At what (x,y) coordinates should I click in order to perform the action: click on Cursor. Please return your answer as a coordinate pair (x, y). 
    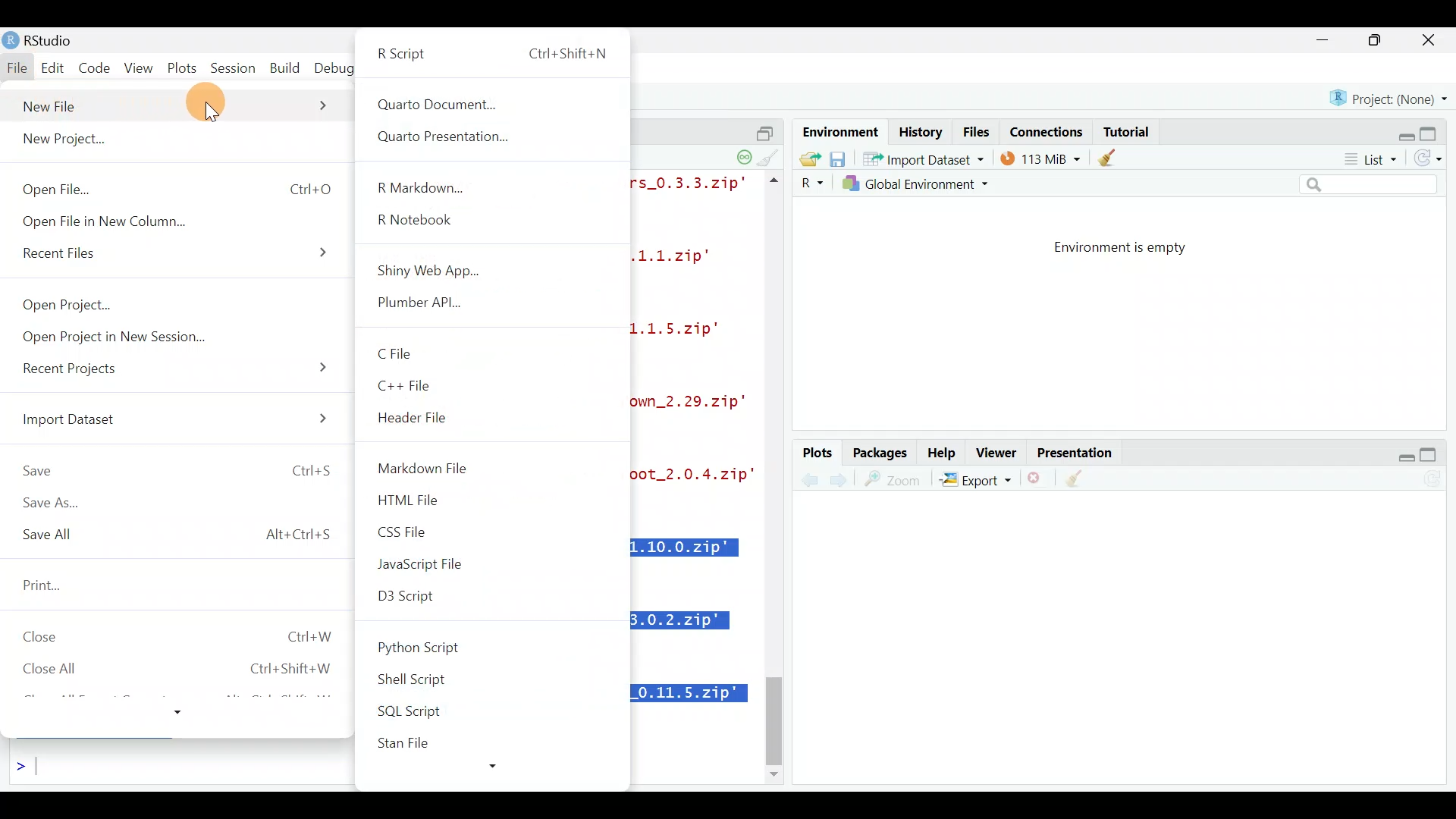
    Looking at the image, I should click on (223, 101).